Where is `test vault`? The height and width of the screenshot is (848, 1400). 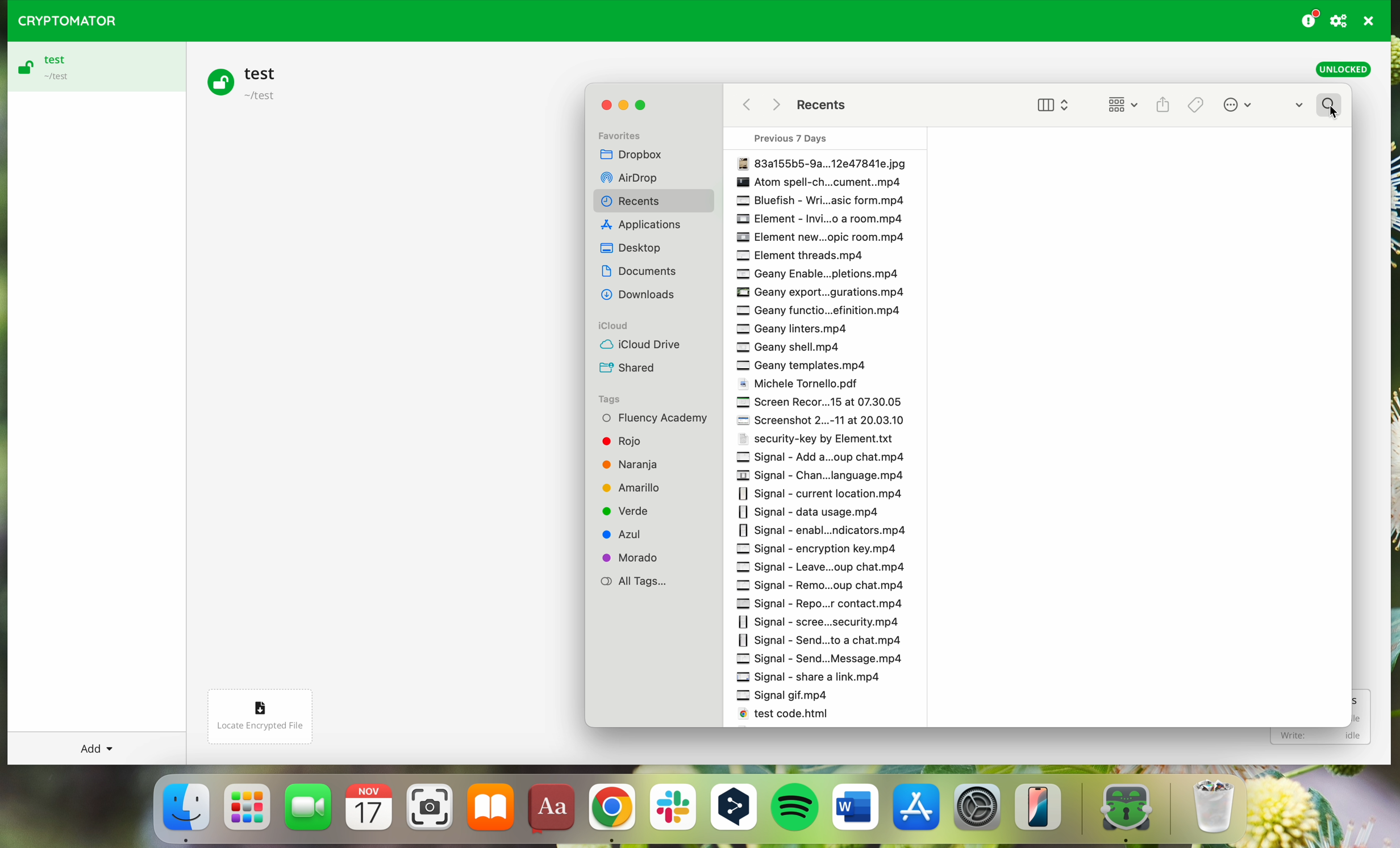
test vault is located at coordinates (247, 81).